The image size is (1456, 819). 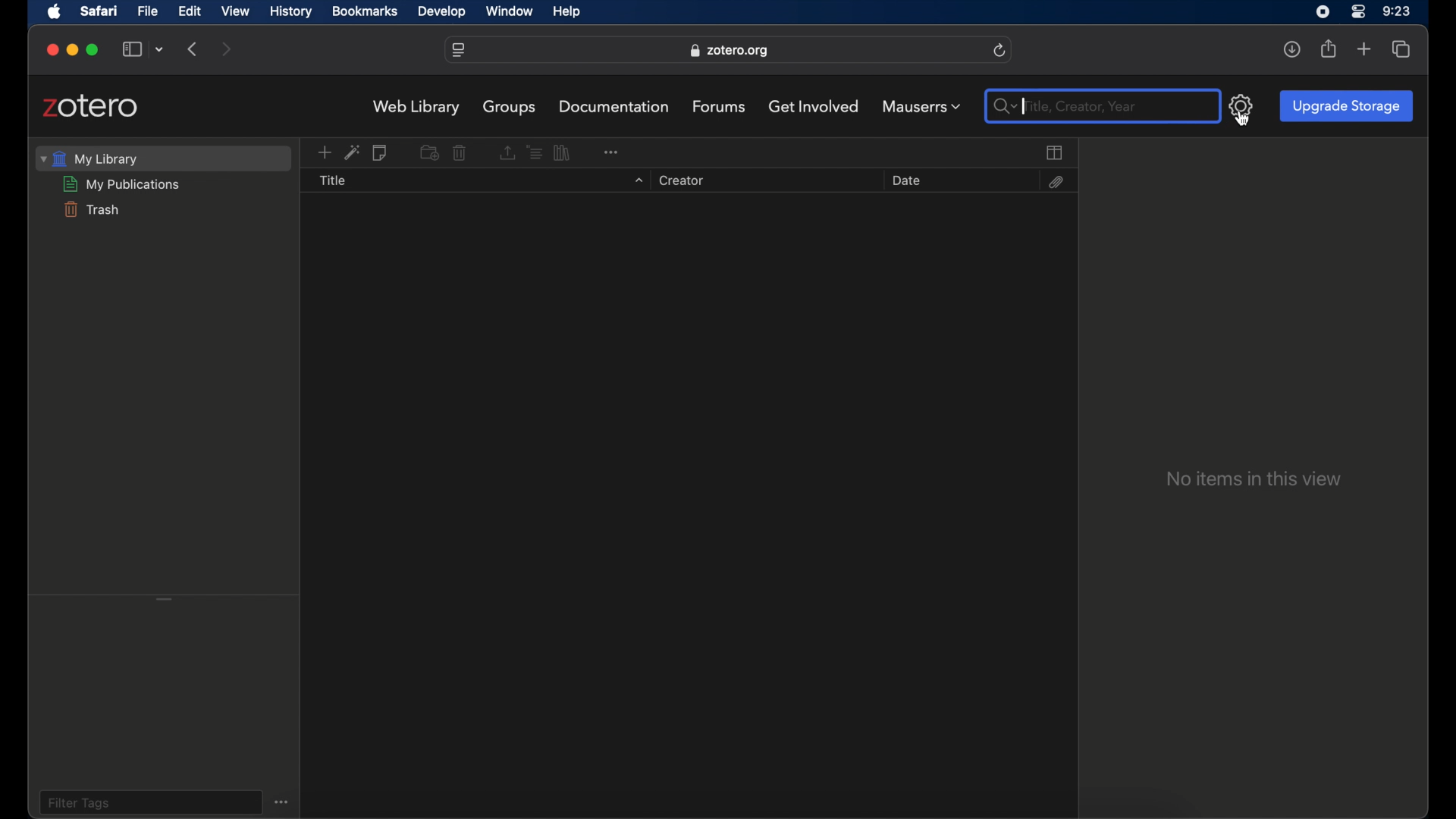 I want to click on safari, so click(x=99, y=11).